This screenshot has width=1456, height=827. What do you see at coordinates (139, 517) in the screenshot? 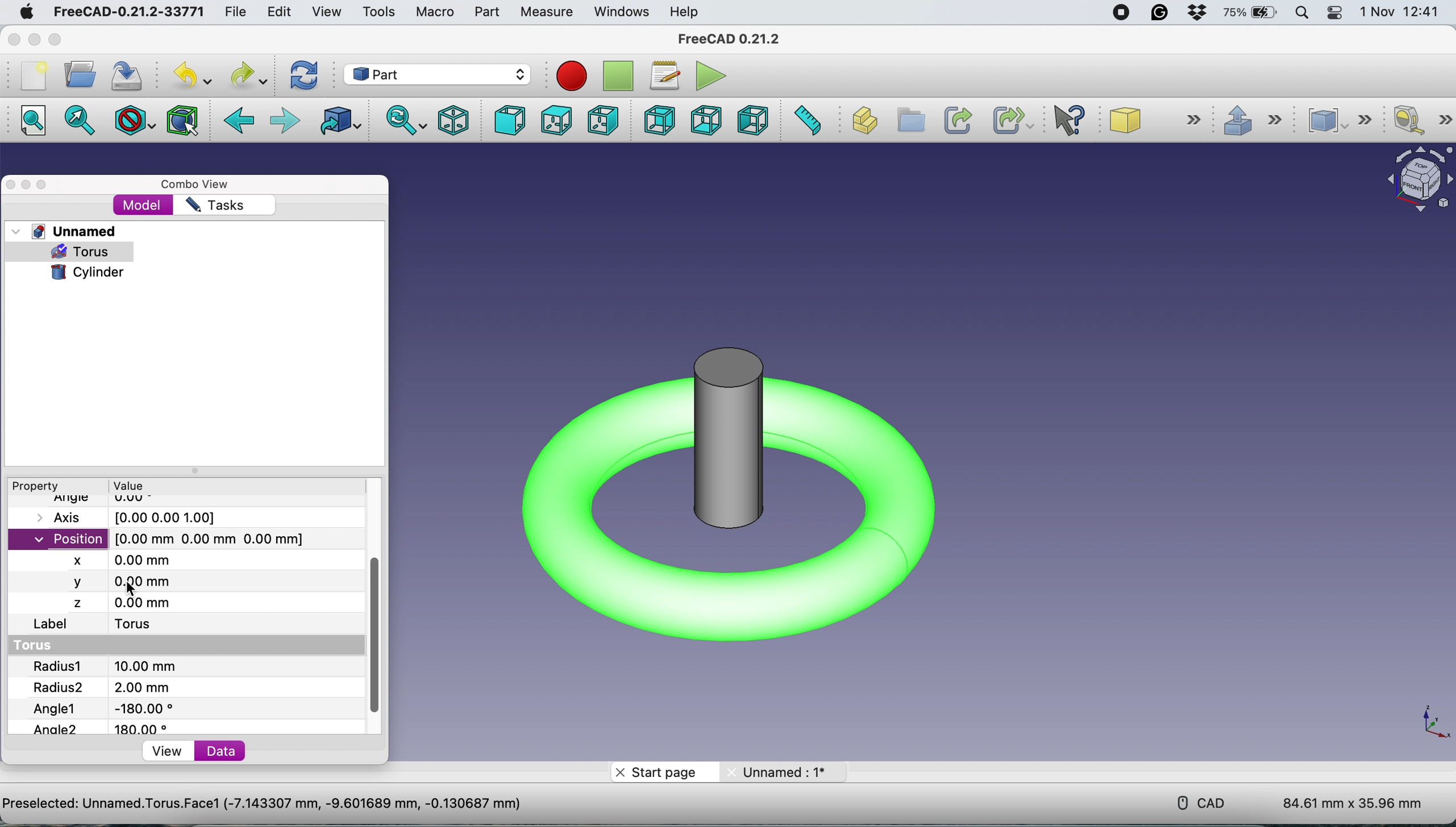
I see `Axis` at bounding box center [139, 517].